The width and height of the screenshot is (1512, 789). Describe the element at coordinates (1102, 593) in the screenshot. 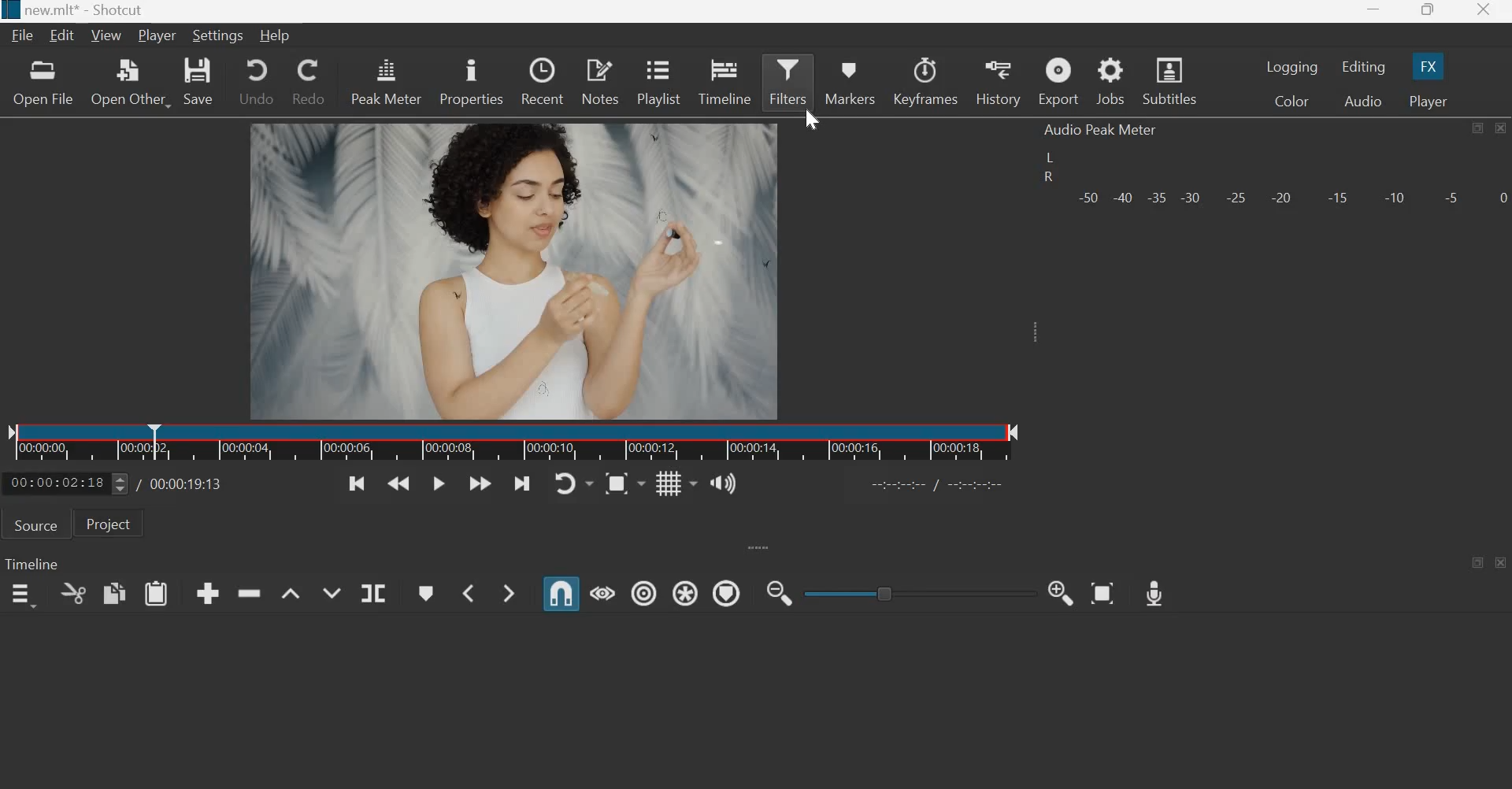

I see `Zoom Timeline to Fit` at that location.